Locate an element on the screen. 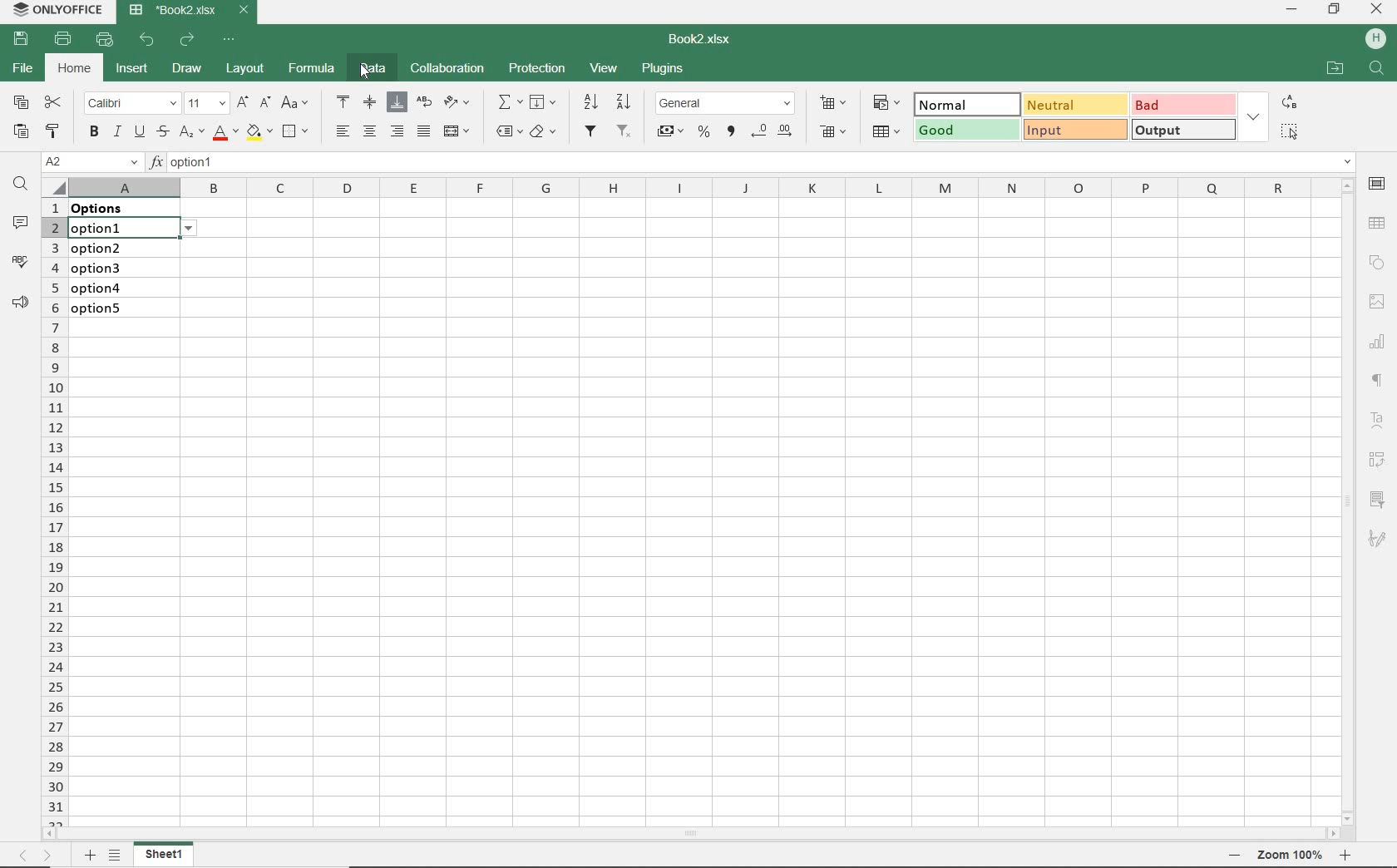  ROWS is located at coordinates (53, 511).